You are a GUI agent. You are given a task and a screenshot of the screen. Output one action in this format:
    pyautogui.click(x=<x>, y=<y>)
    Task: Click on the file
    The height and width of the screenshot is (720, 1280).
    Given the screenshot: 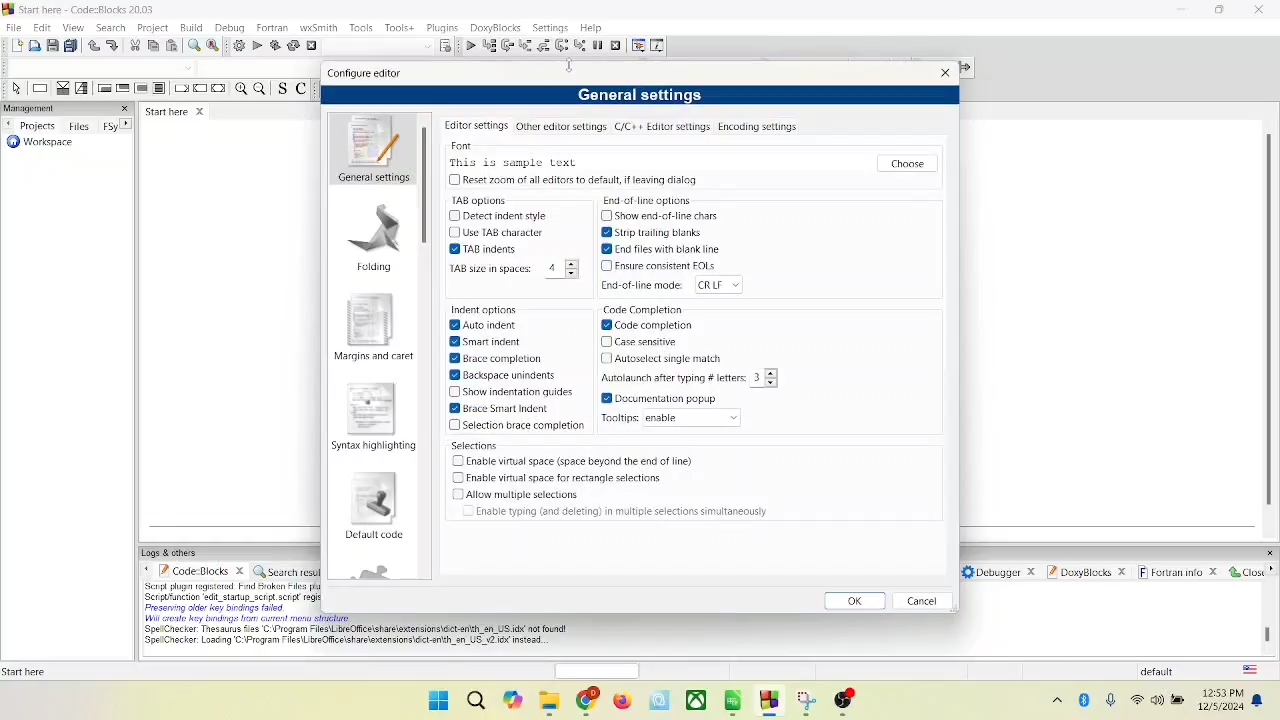 What is the action you would take?
    pyautogui.click(x=15, y=26)
    